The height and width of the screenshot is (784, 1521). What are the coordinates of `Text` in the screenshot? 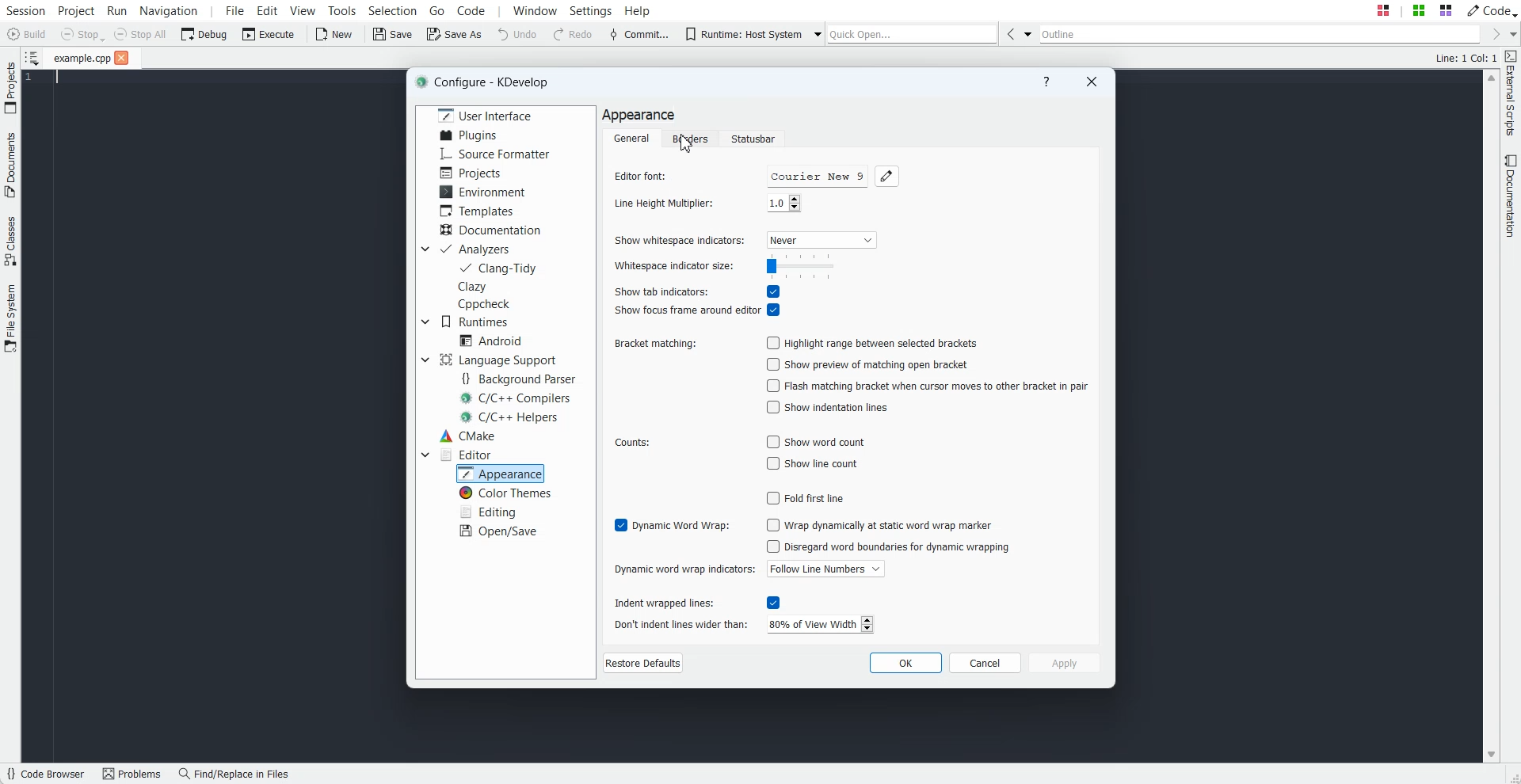 It's located at (639, 116).